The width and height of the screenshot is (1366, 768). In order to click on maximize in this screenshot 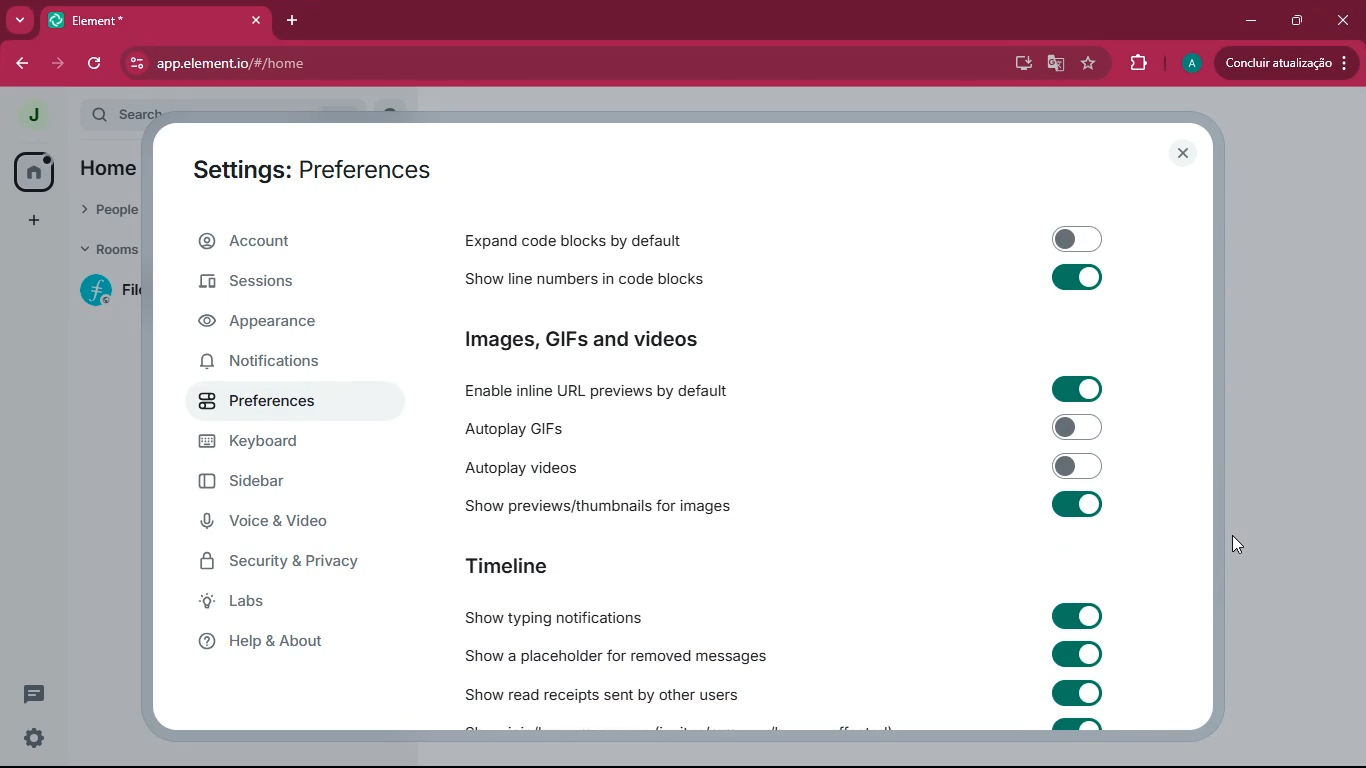, I will do `click(1299, 21)`.